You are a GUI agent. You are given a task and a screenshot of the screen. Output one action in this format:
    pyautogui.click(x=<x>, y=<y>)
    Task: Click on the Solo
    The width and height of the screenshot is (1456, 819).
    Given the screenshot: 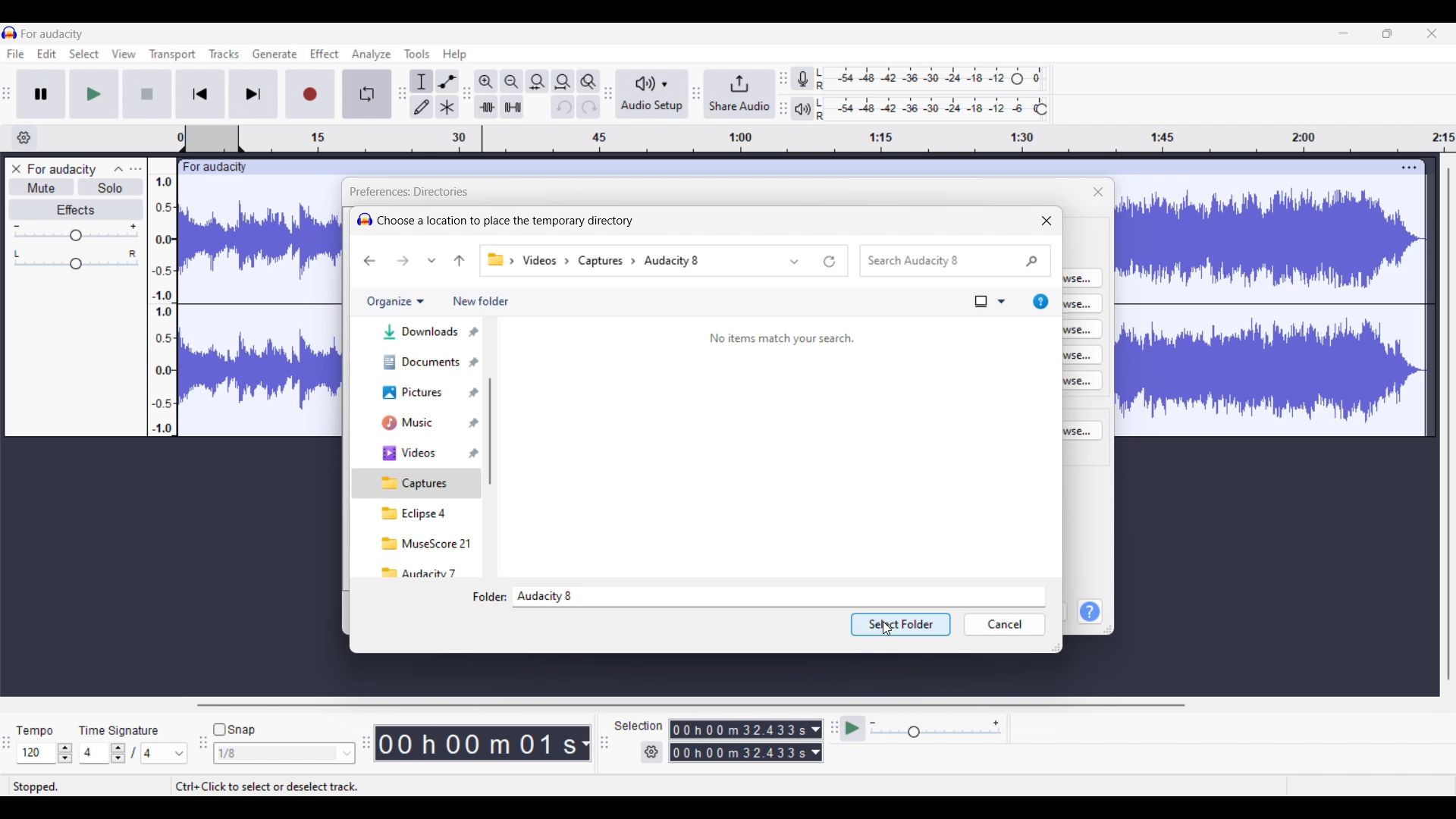 What is the action you would take?
    pyautogui.click(x=110, y=187)
    